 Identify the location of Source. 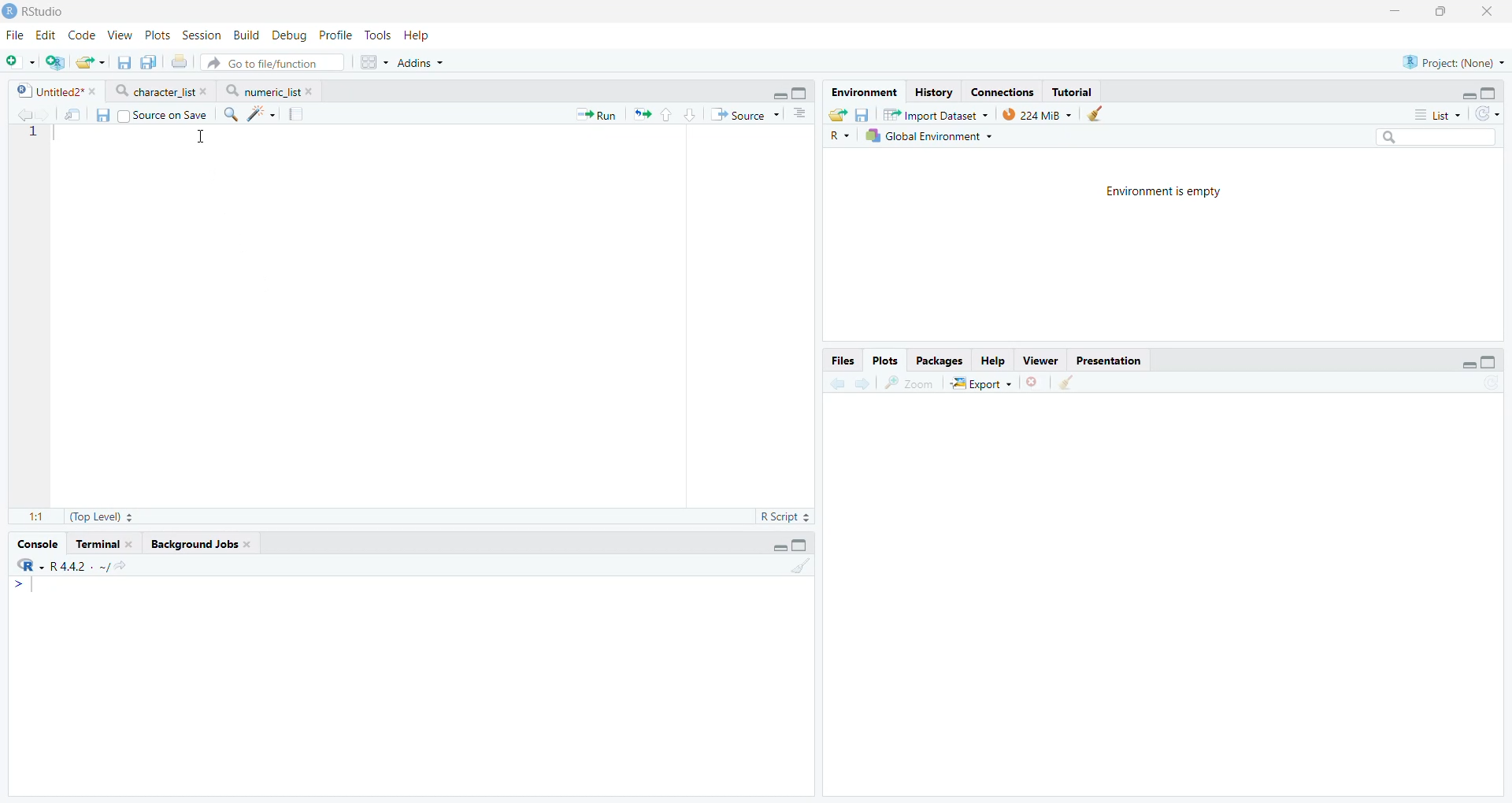
(743, 115).